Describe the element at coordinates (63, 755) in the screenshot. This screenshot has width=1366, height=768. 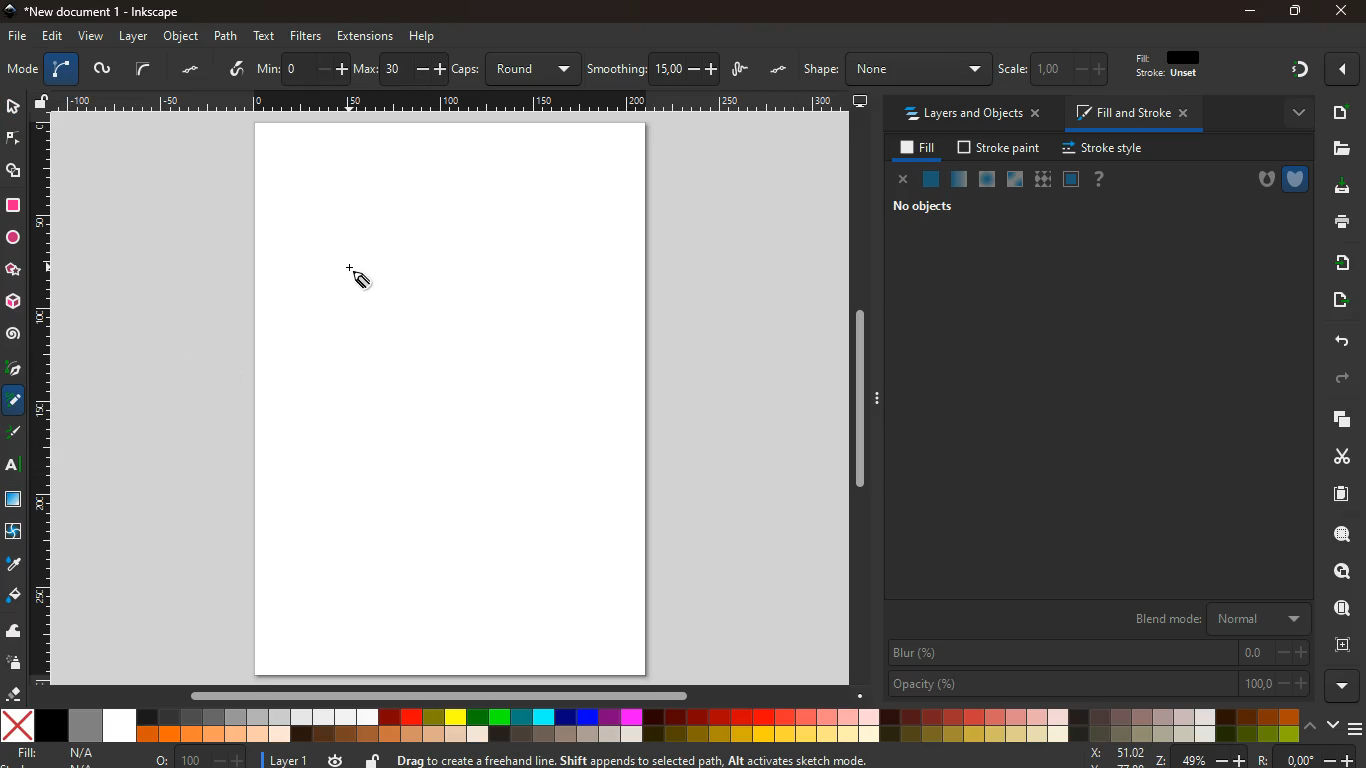
I see `fill` at that location.